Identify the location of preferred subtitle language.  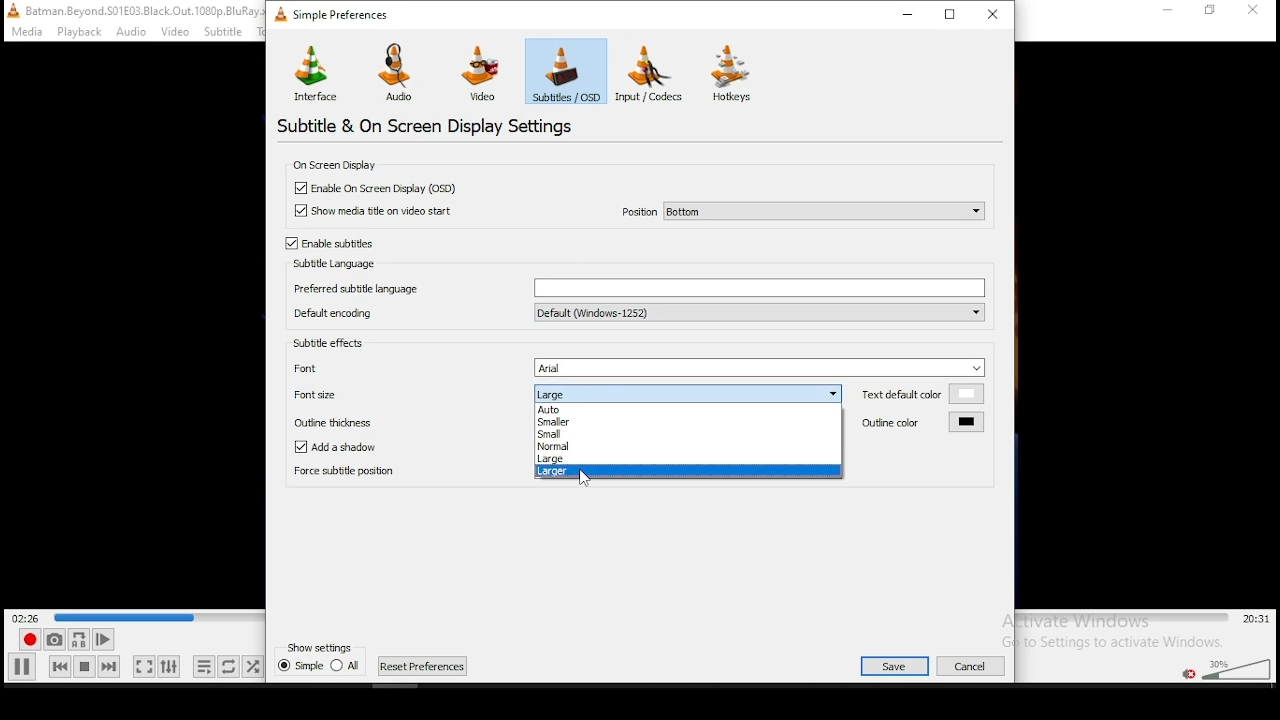
(637, 288).